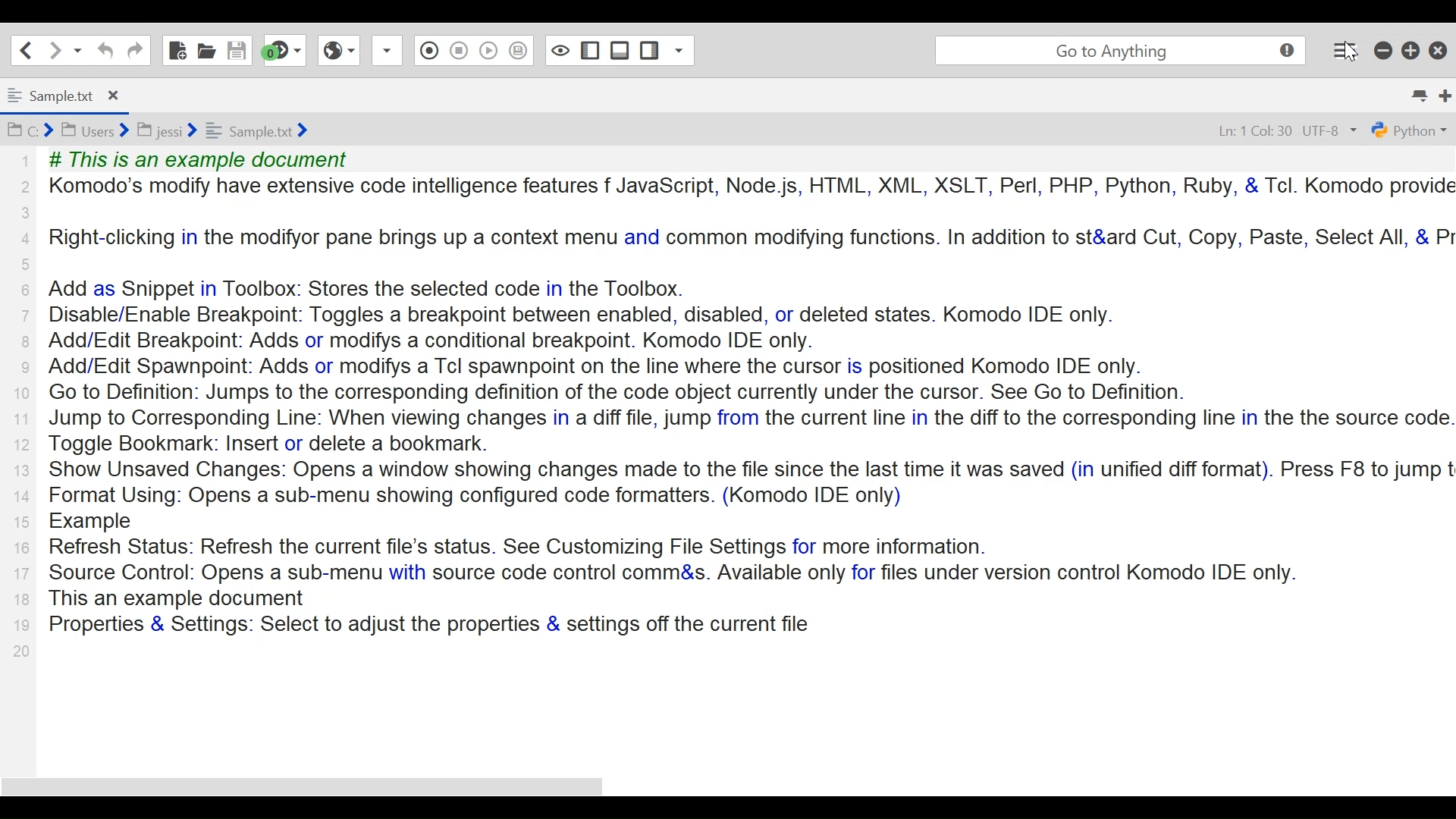 The width and height of the screenshot is (1456, 819). What do you see at coordinates (588, 50) in the screenshot?
I see `Show/Hide bottom Pane` at bounding box center [588, 50].